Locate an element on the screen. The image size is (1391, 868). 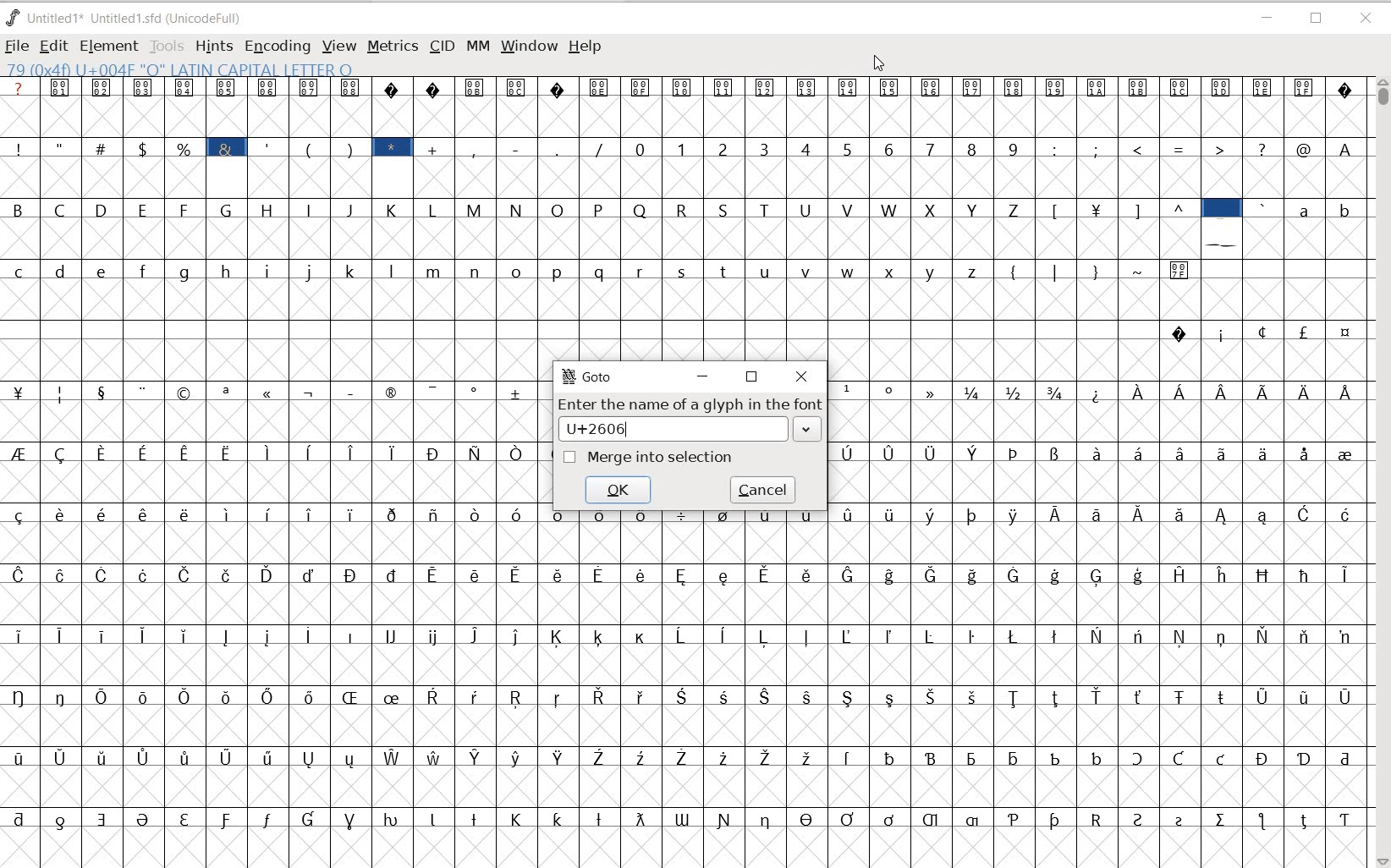
EDIT is located at coordinates (52, 47).